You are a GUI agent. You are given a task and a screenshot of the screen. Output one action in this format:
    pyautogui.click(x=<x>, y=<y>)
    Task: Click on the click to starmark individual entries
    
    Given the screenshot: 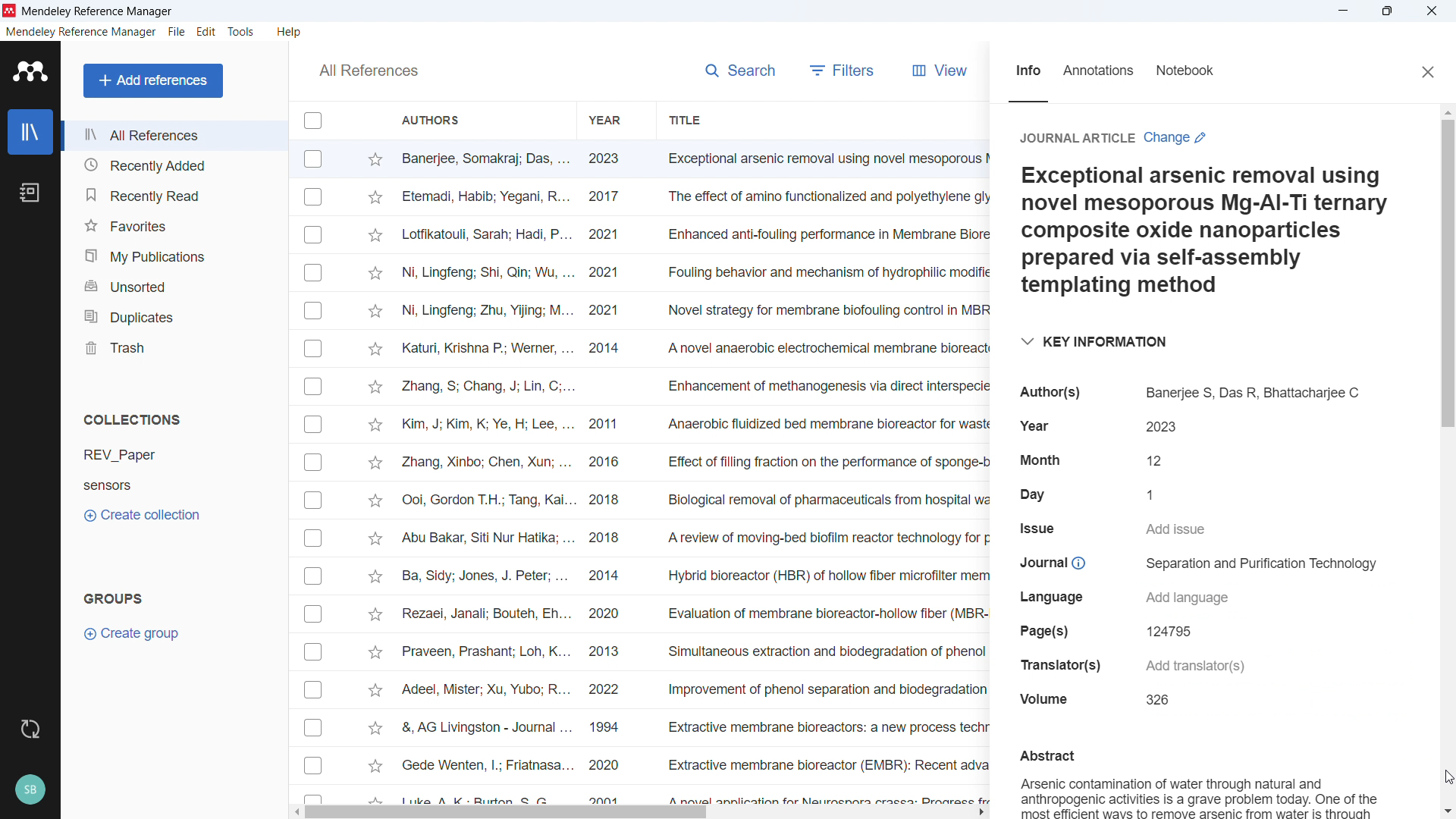 What is the action you would take?
    pyautogui.click(x=375, y=423)
    